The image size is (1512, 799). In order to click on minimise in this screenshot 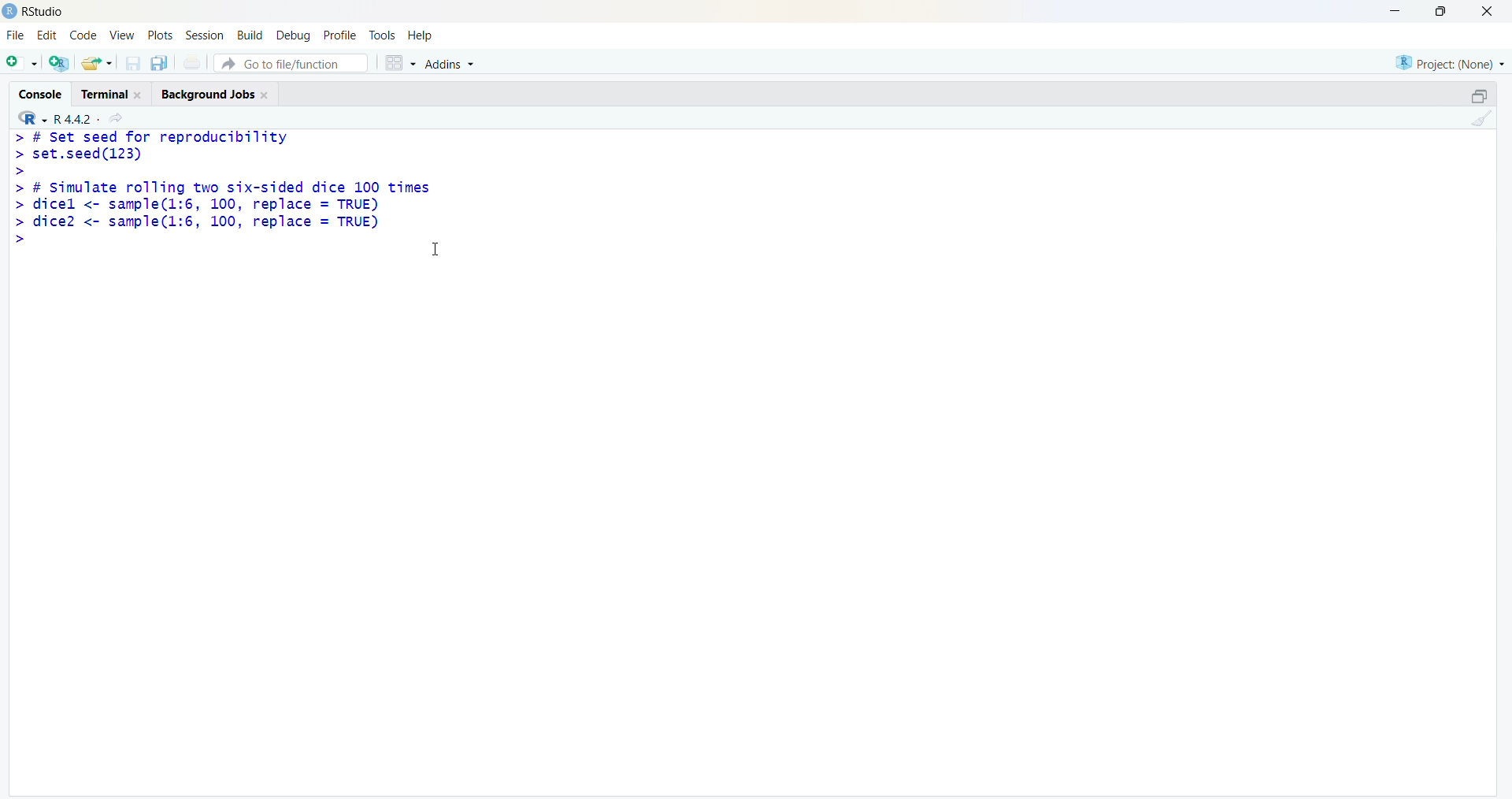, I will do `click(1397, 9)`.